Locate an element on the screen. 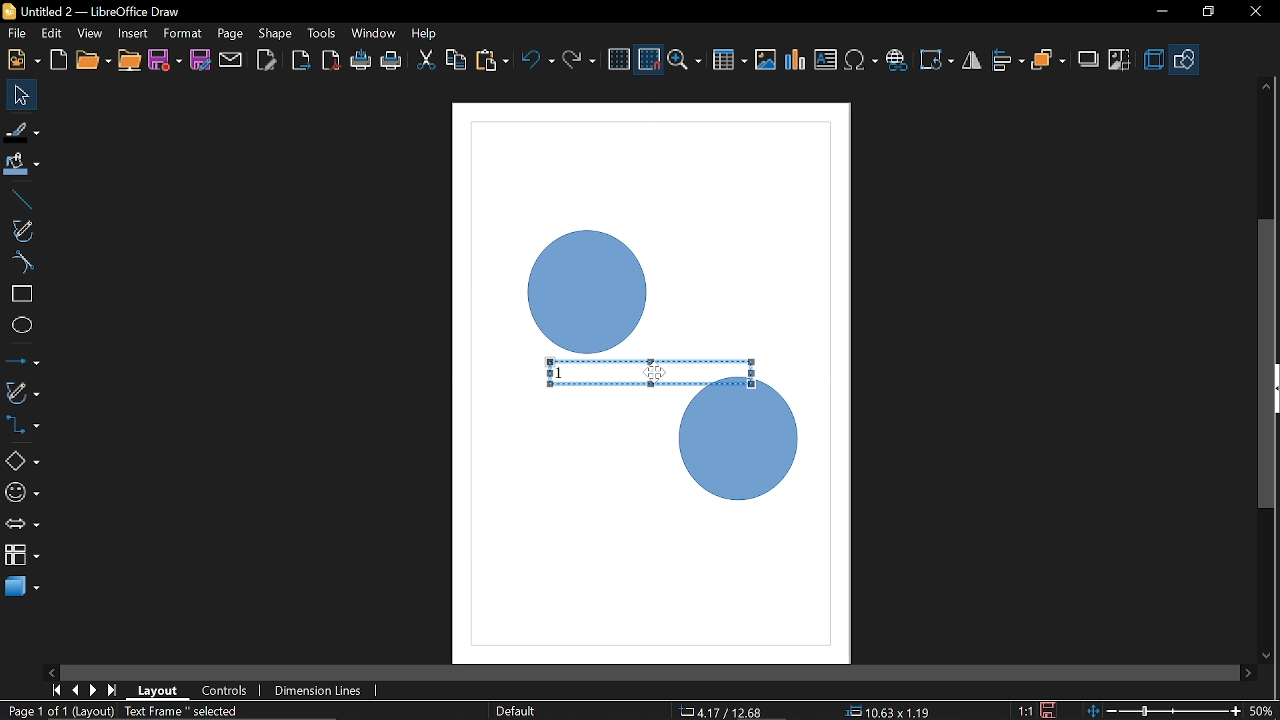 This screenshot has height=720, width=1280. New is located at coordinates (22, 60).